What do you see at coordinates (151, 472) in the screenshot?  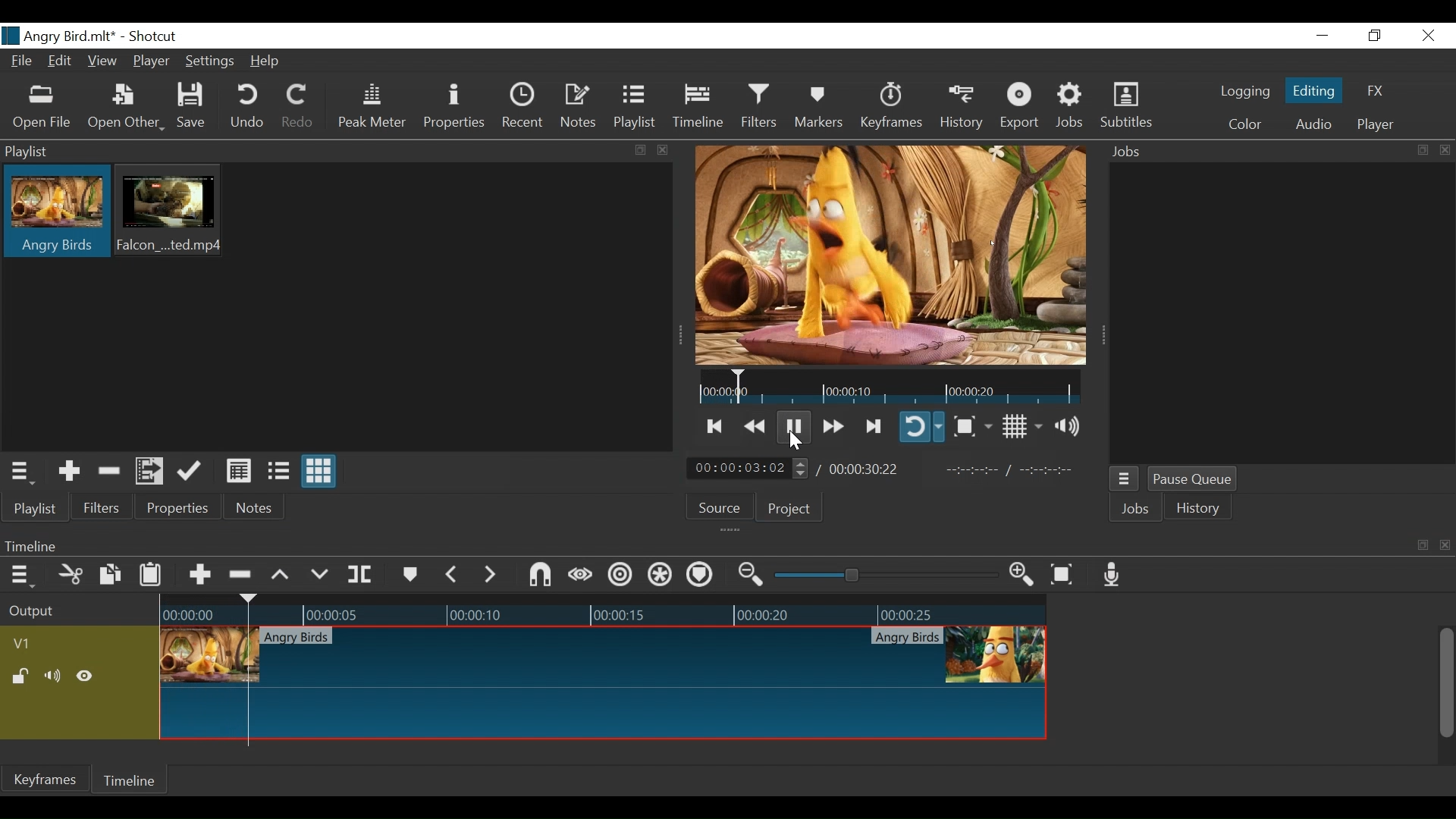 I see `Add files to the playlist` at bounding box center [151, 472].